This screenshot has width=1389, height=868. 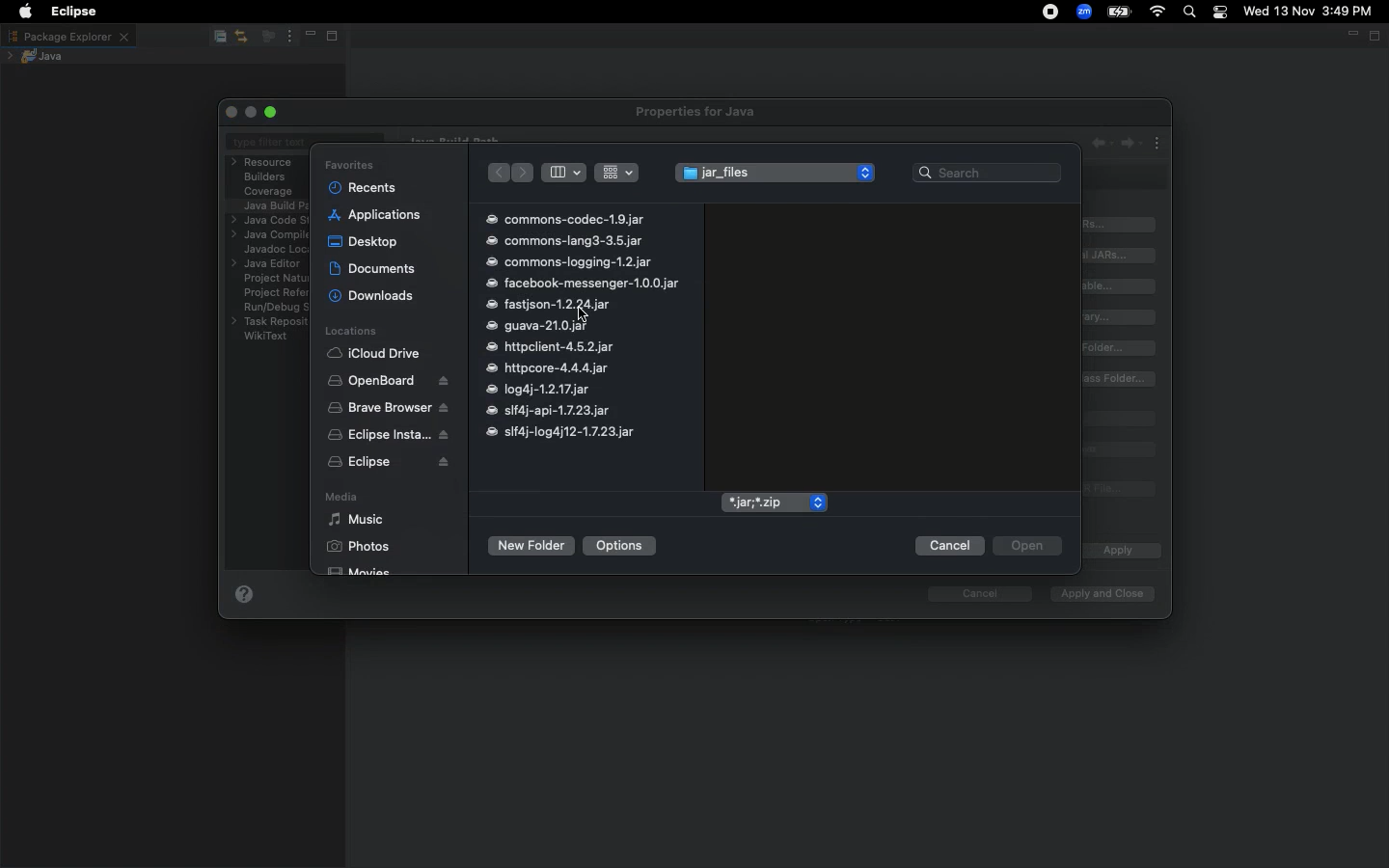 I want to click on Builders, so click(x=265, y=177).